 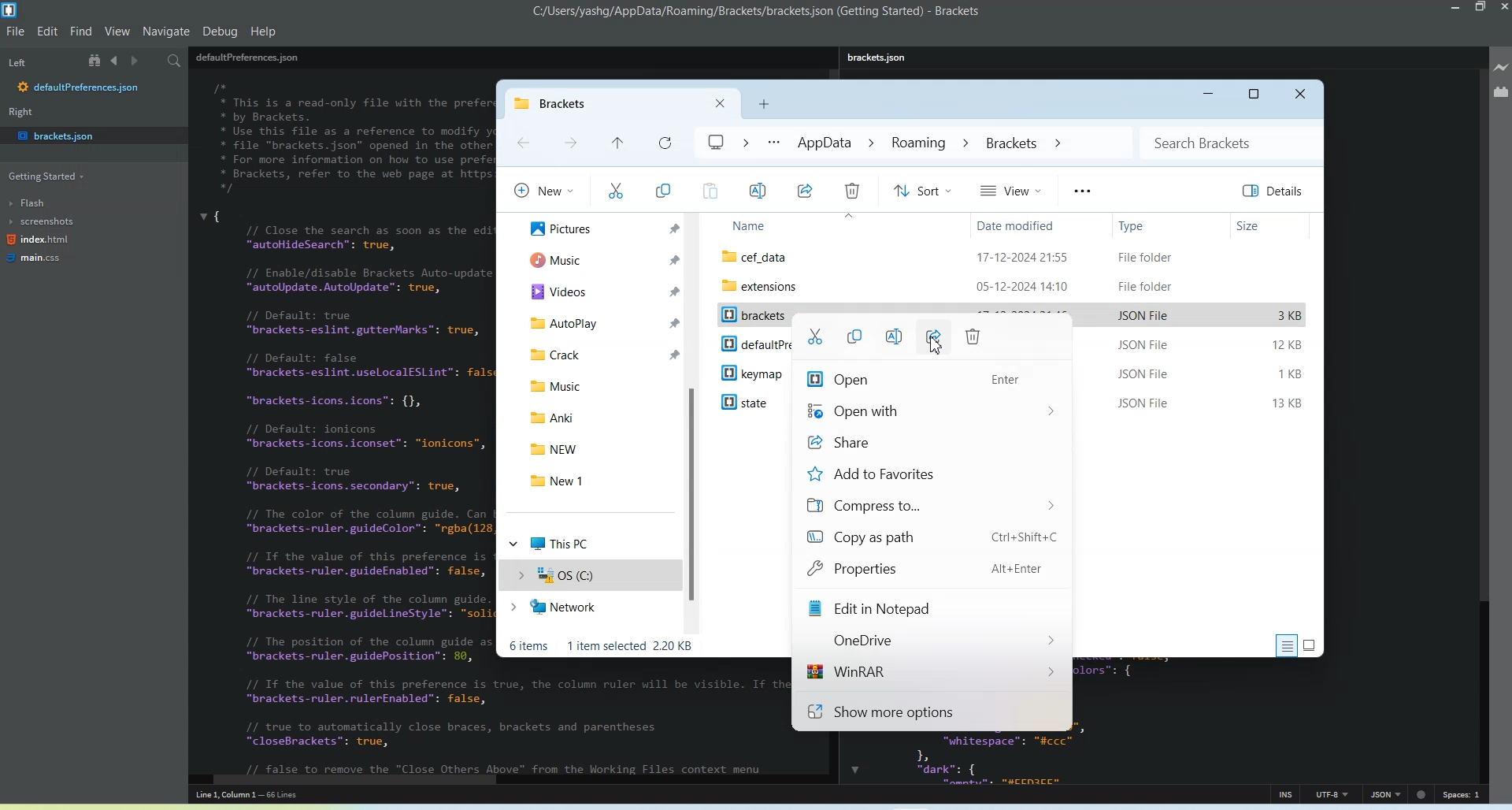 I want to click on Help, so click(x=263, y=31).